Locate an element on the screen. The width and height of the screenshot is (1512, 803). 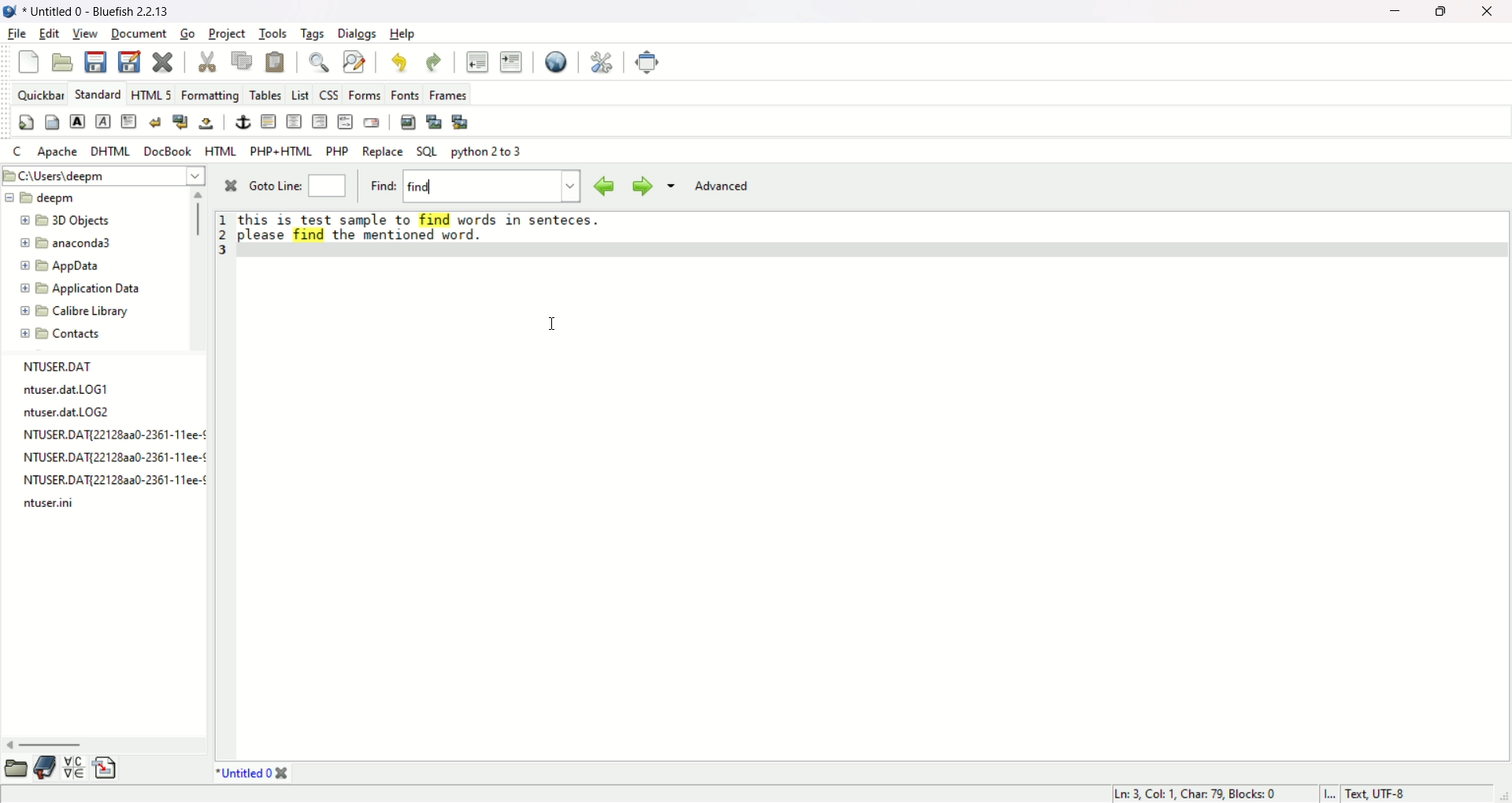
paste is located at coordinates (275, 61).